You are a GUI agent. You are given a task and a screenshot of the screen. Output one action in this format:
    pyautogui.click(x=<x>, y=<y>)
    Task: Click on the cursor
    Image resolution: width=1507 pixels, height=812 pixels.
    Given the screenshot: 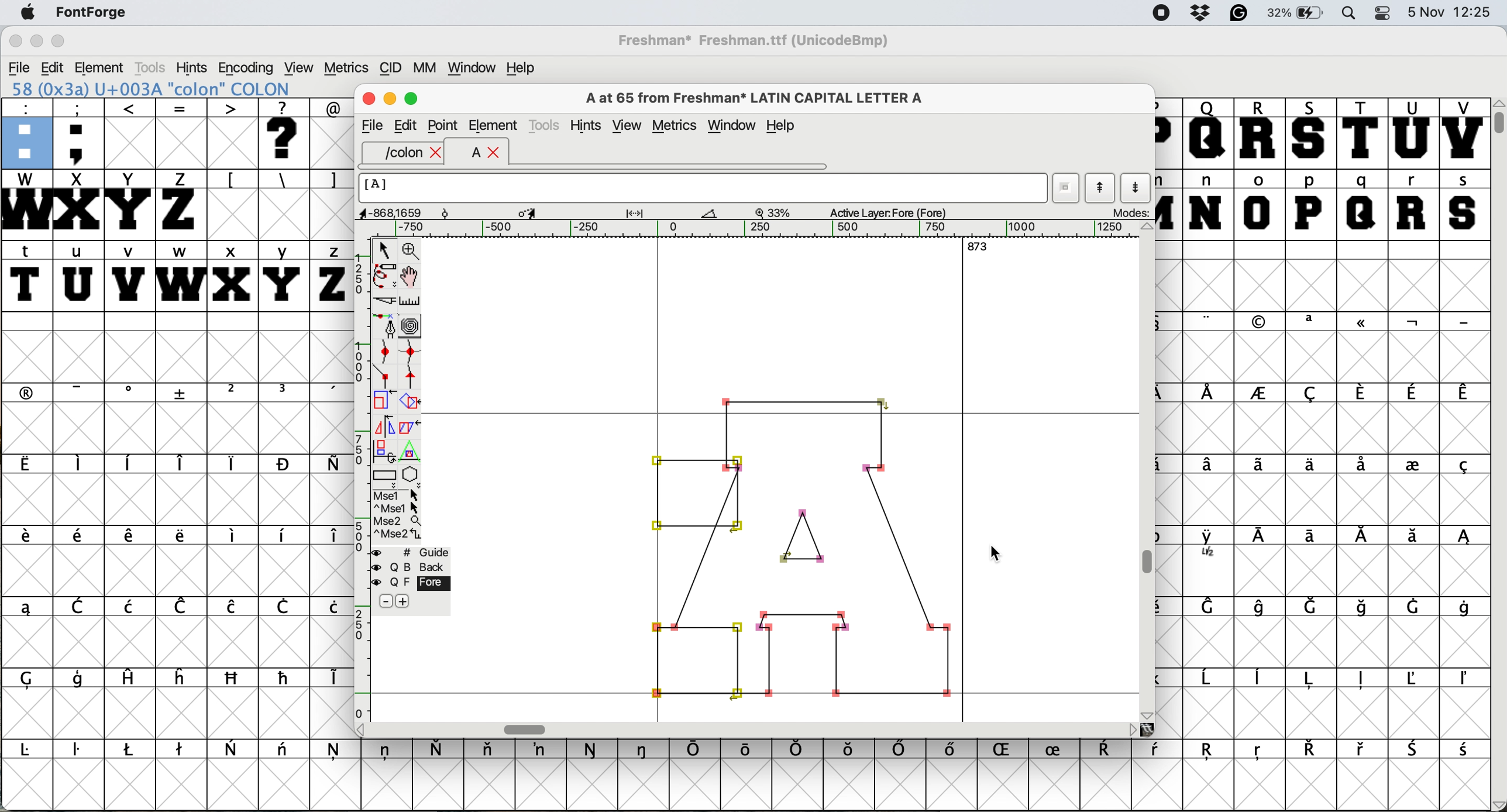 What is the action you would take?
    pyautogui.click(x=1003, y=558)
    